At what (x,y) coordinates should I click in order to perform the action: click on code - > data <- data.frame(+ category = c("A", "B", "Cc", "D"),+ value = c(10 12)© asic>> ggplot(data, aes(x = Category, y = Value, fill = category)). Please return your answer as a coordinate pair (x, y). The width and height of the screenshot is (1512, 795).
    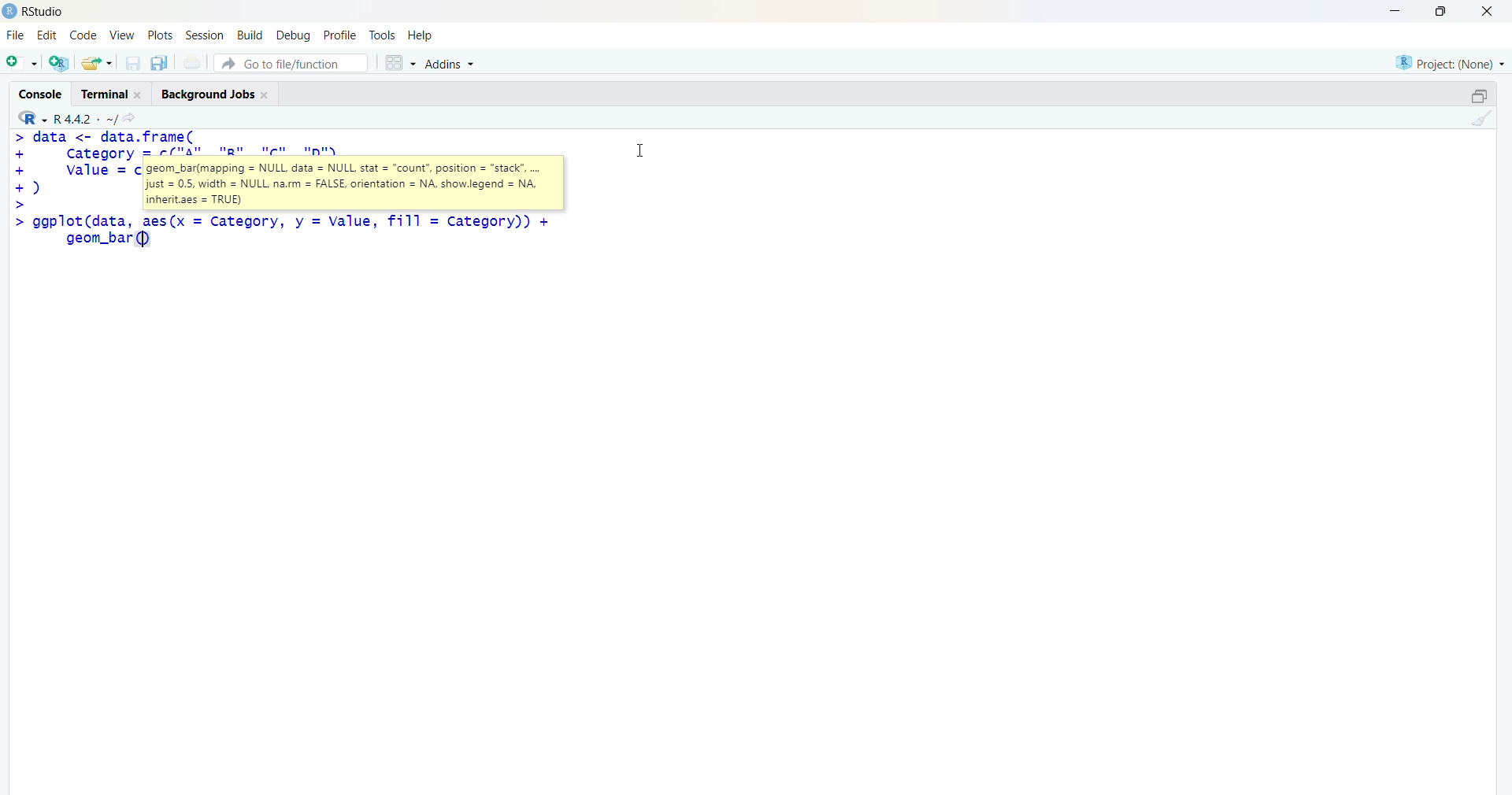
    Looking at the image, I should click on (295, 188).